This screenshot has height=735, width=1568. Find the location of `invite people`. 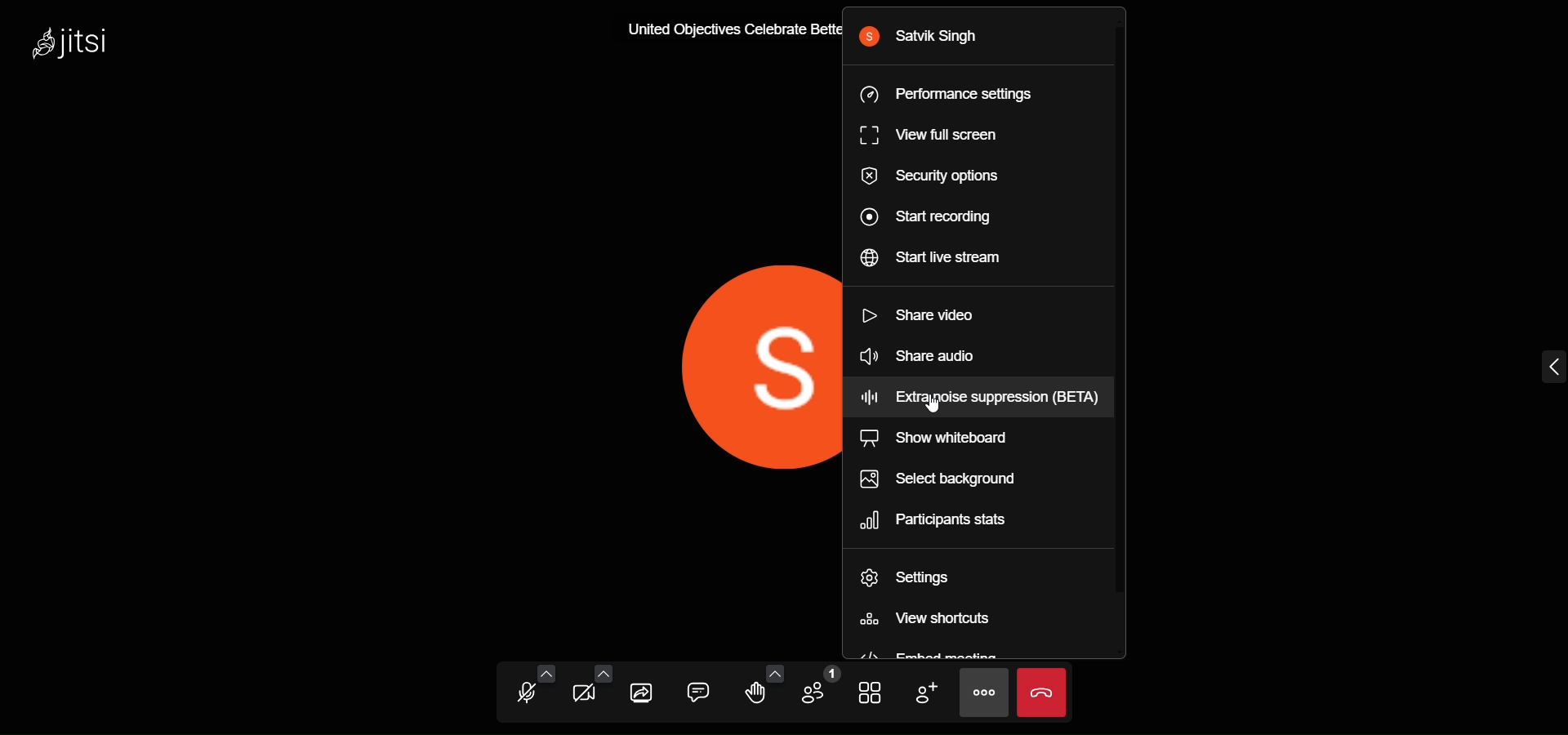

invite people is located at coordinates (925, 694).